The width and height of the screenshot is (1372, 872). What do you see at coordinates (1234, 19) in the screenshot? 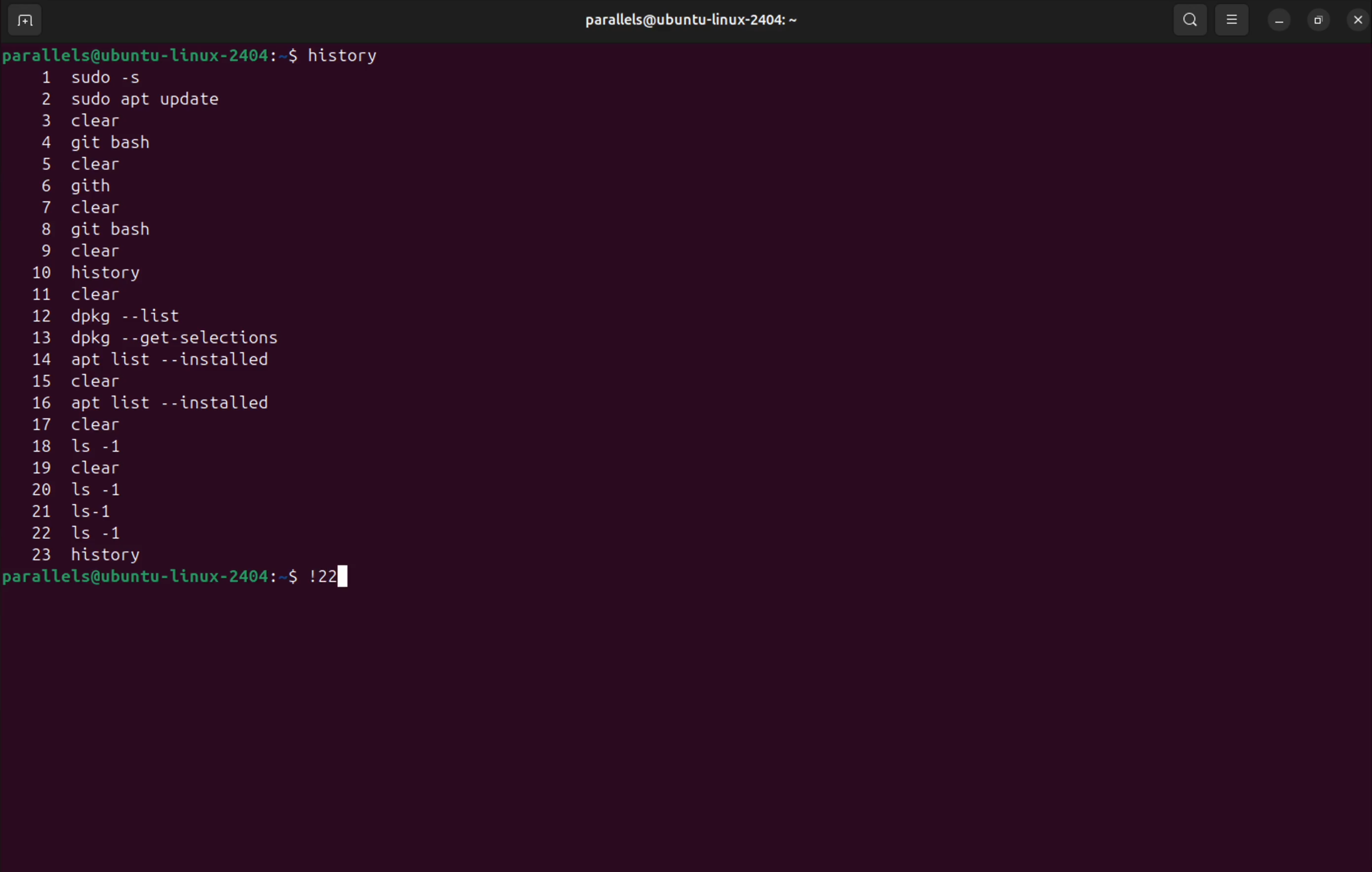
I see `view options` at bounding box center [1234, 19].